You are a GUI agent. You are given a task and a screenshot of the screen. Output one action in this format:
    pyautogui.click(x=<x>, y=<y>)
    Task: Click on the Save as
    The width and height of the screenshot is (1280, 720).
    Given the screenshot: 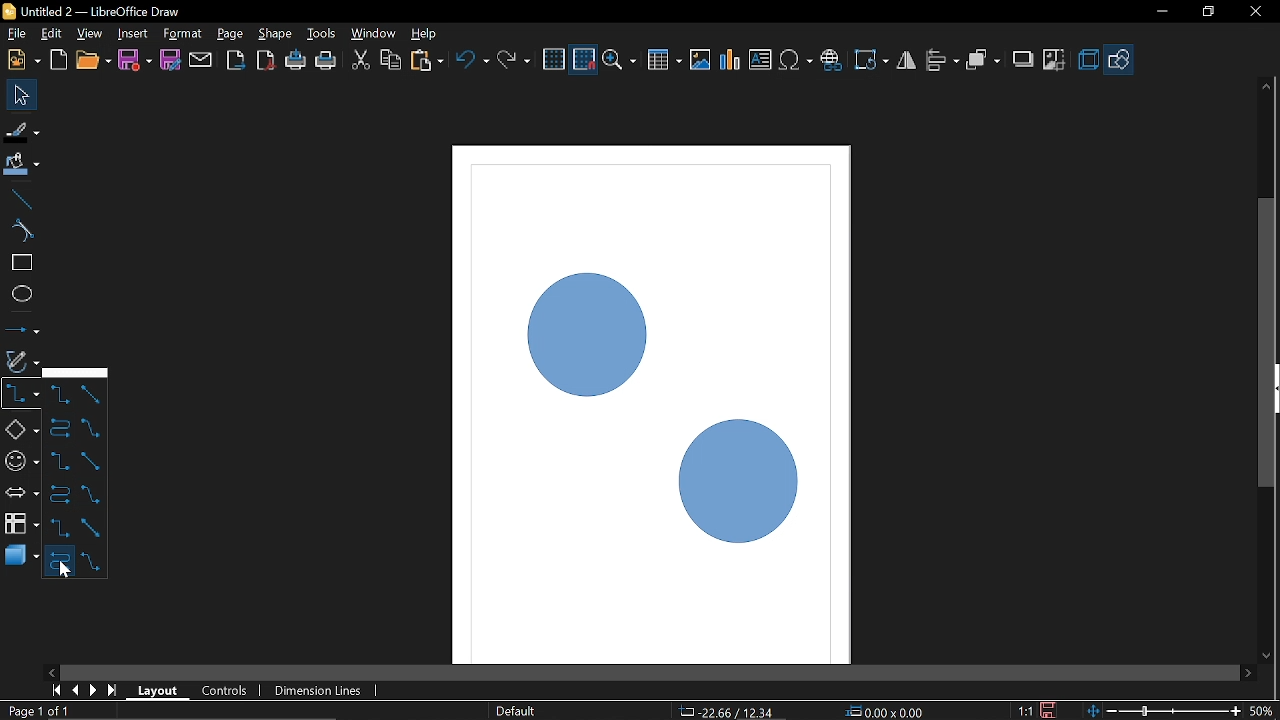 What is the action you would take?
    pyautogui.click(x=170, y=59)
    